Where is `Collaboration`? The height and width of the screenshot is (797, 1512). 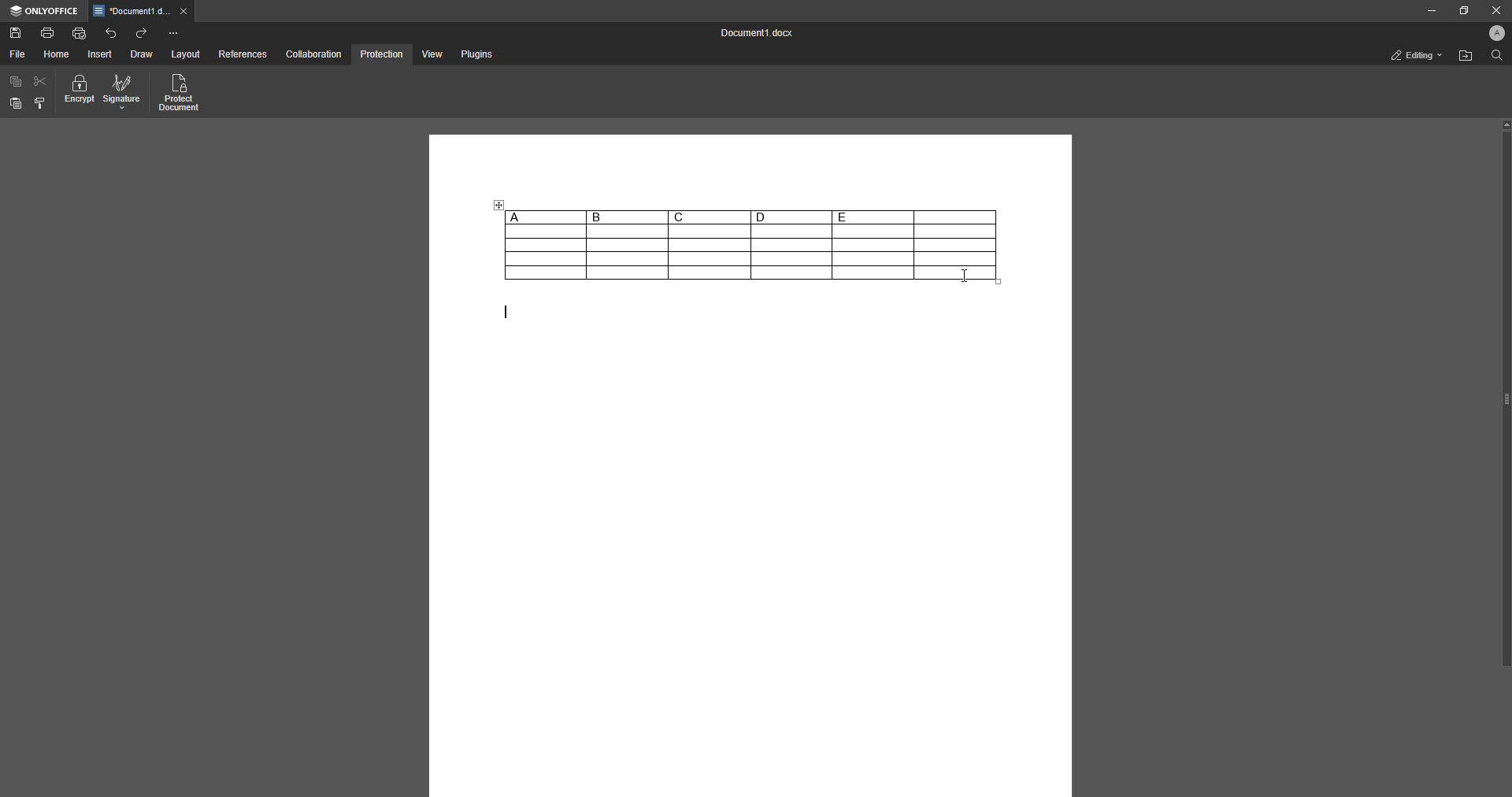 Collaboration is located at coordinates (314, 54).